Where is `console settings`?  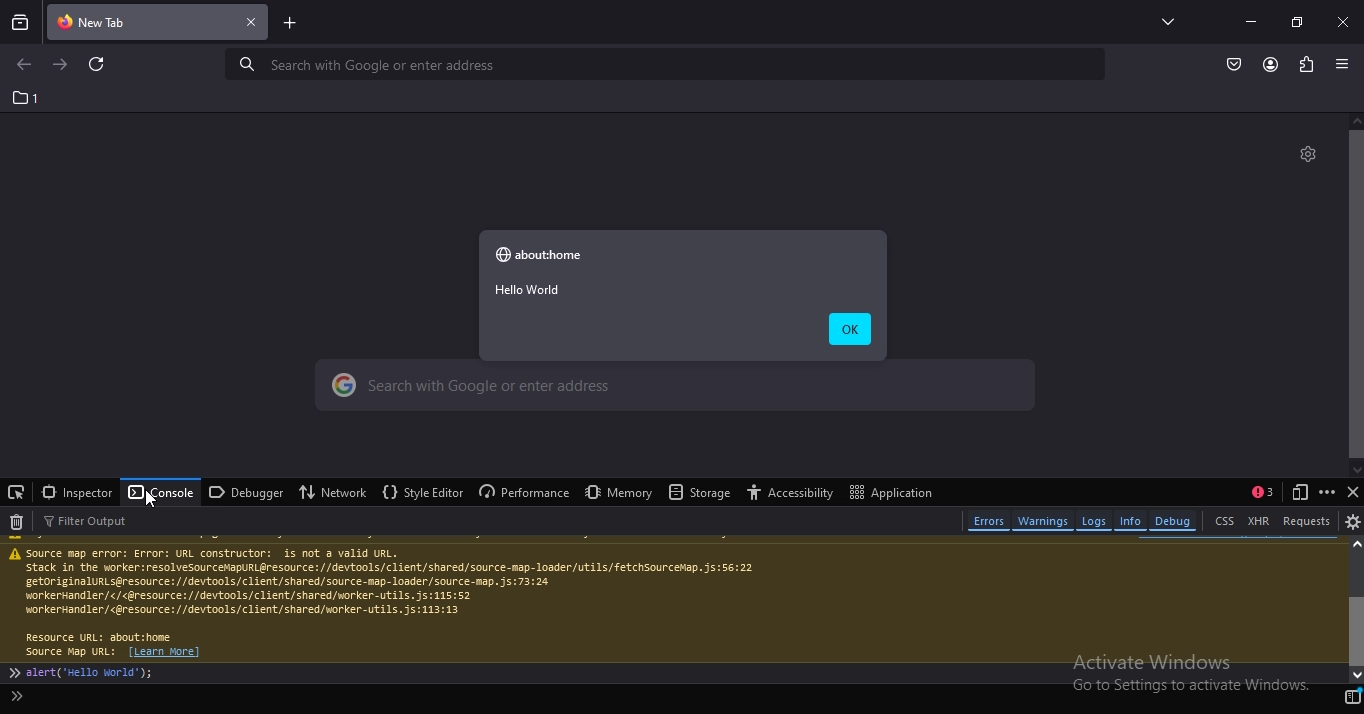 console settings is located at coordinates (1353, 521).